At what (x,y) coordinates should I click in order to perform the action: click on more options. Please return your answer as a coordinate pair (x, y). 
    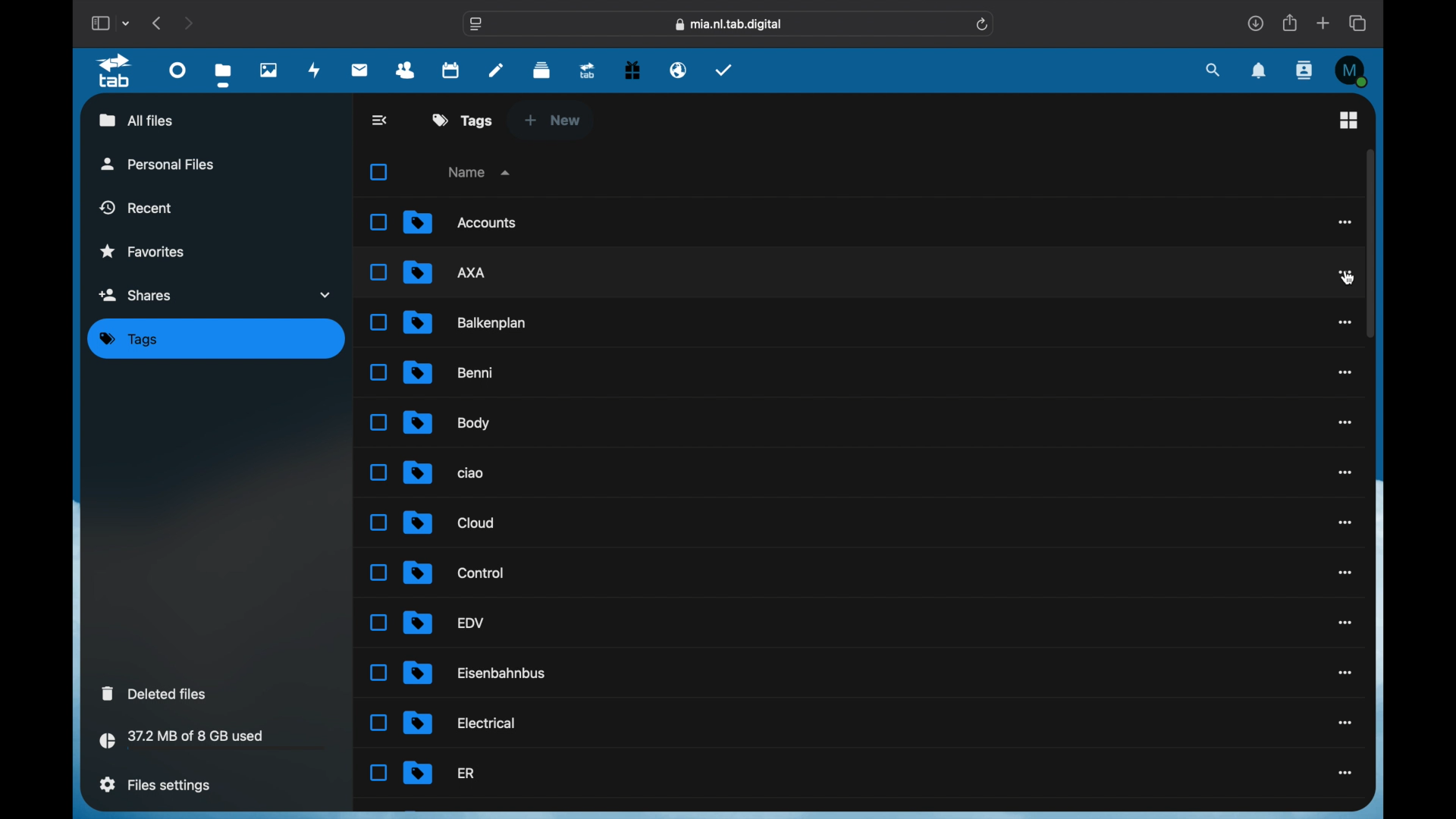
    Looking at the image, I should click on (1345, 273).